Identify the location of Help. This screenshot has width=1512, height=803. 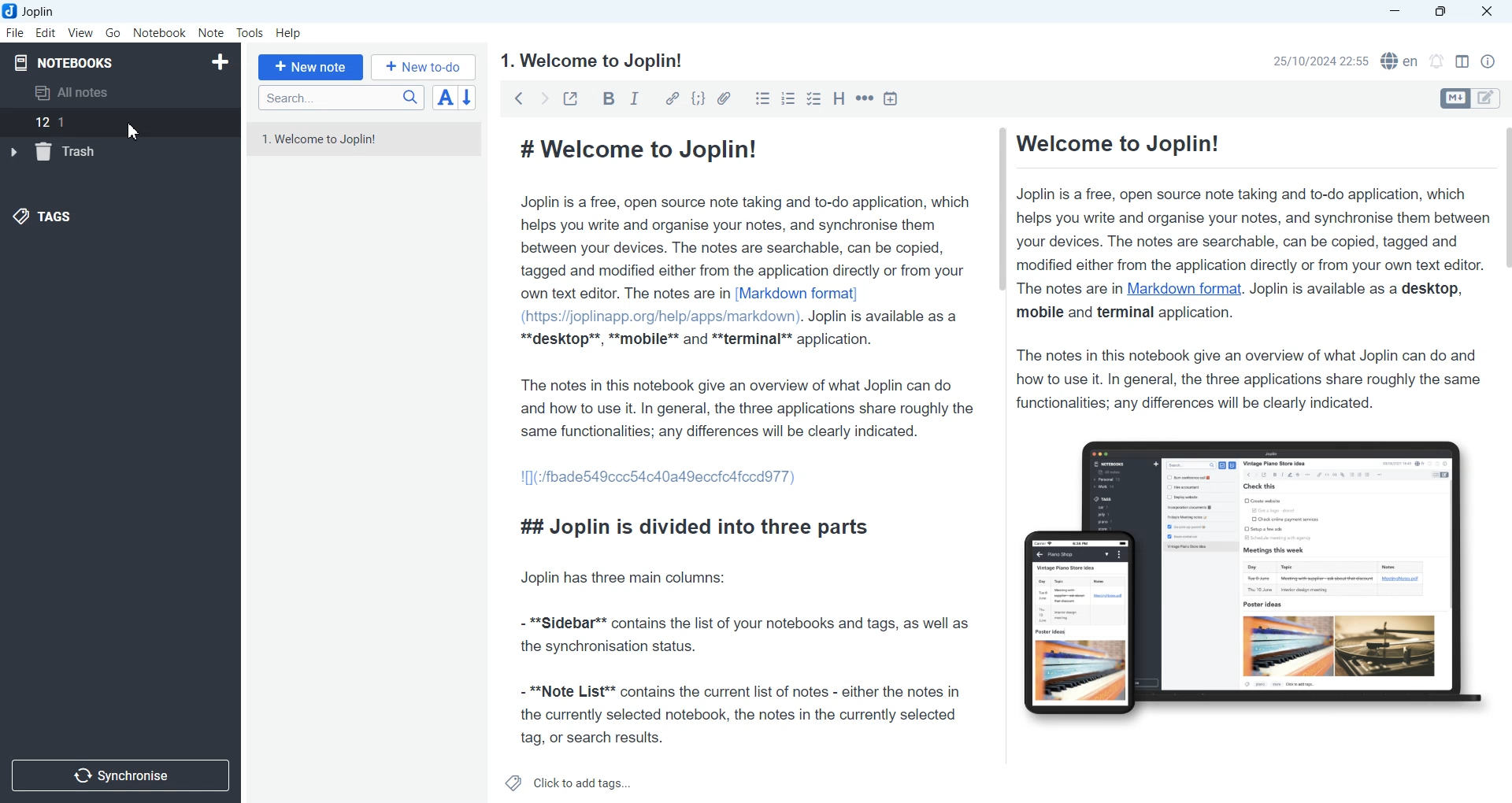
(290, 34).